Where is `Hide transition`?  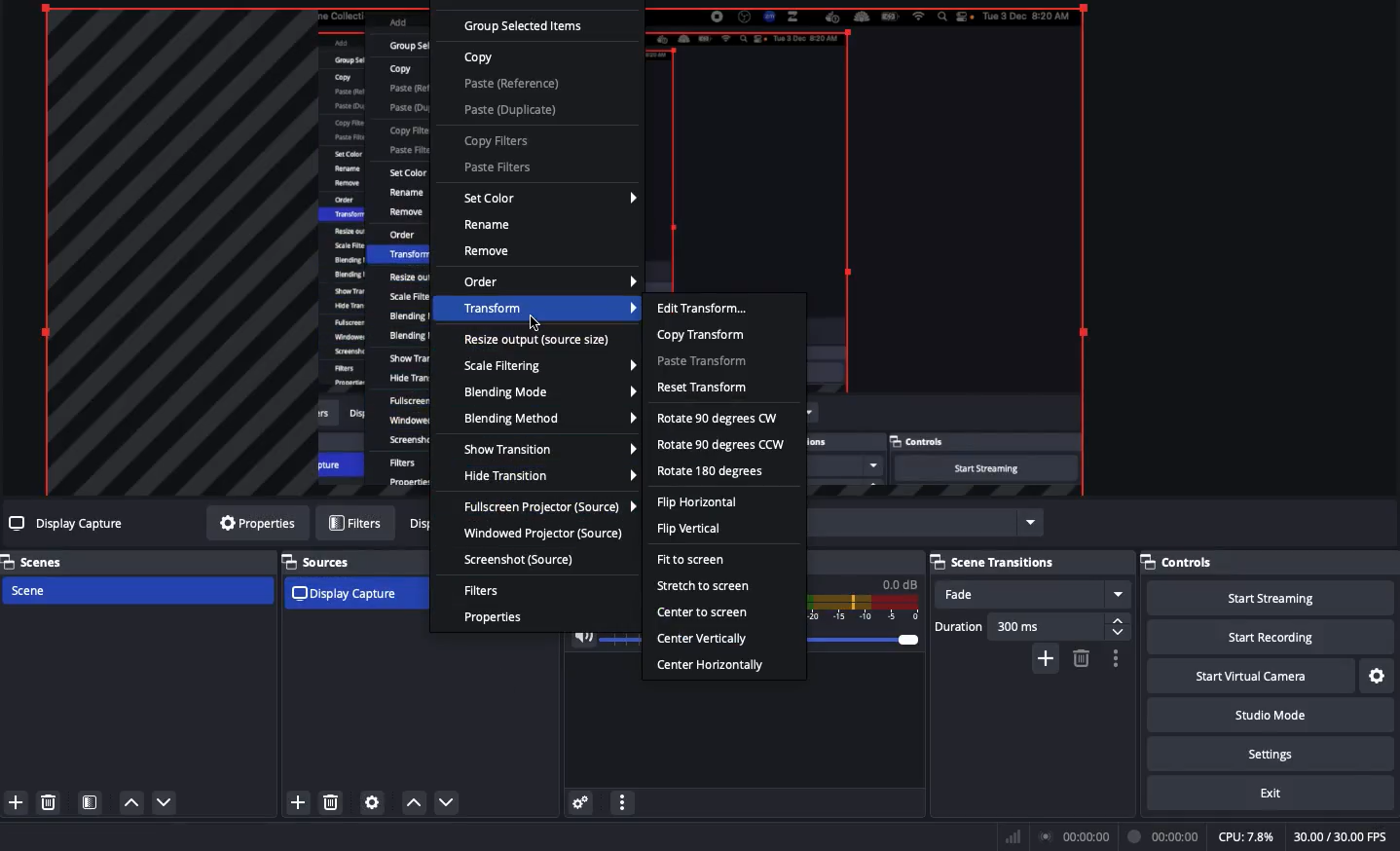
Hide transition is located at coordinates (550, 477).